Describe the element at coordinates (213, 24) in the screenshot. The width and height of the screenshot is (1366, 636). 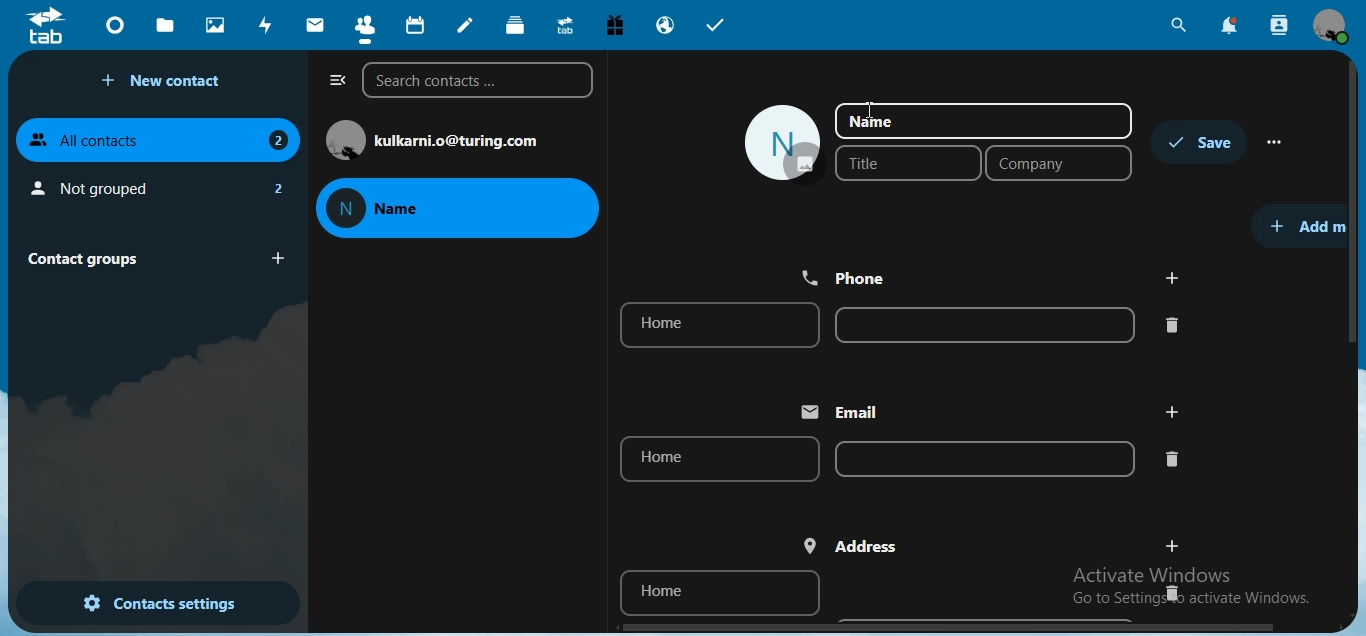
I see `photos` at that location.